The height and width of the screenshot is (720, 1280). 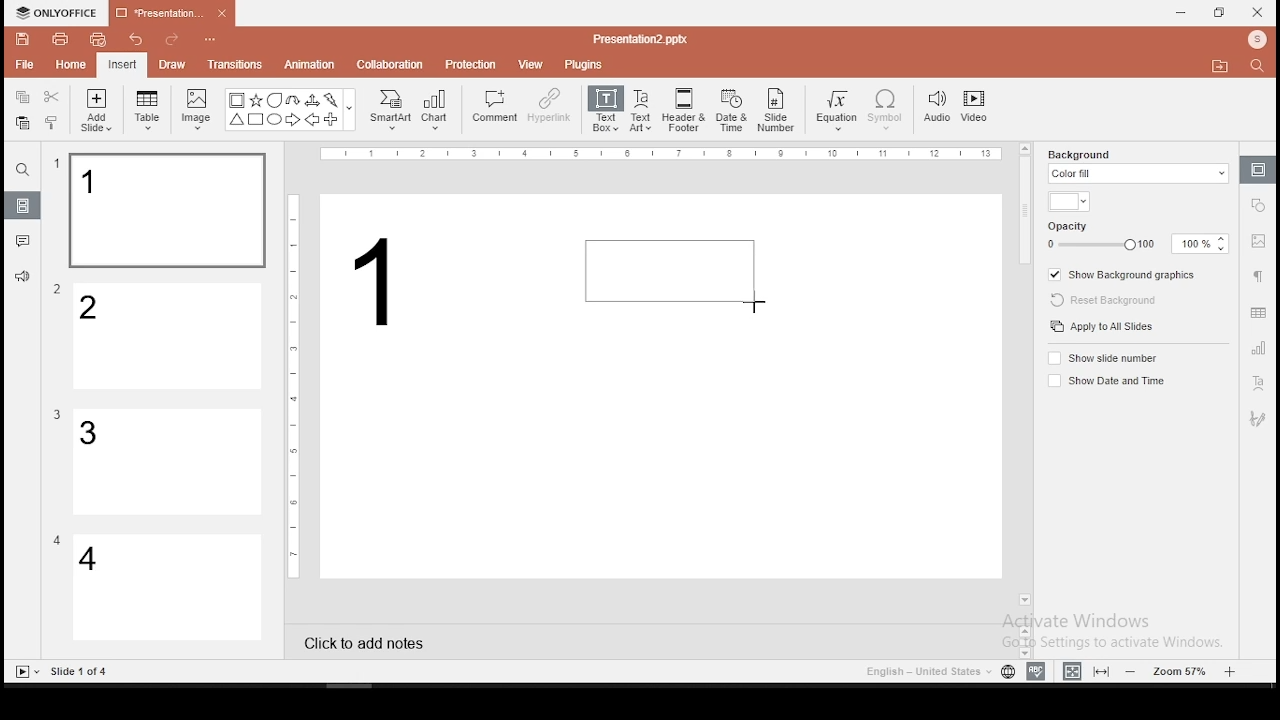 What do you see at coordinates (57, 540) in the screenshot?
I see `` at bounding box center [57, 540].